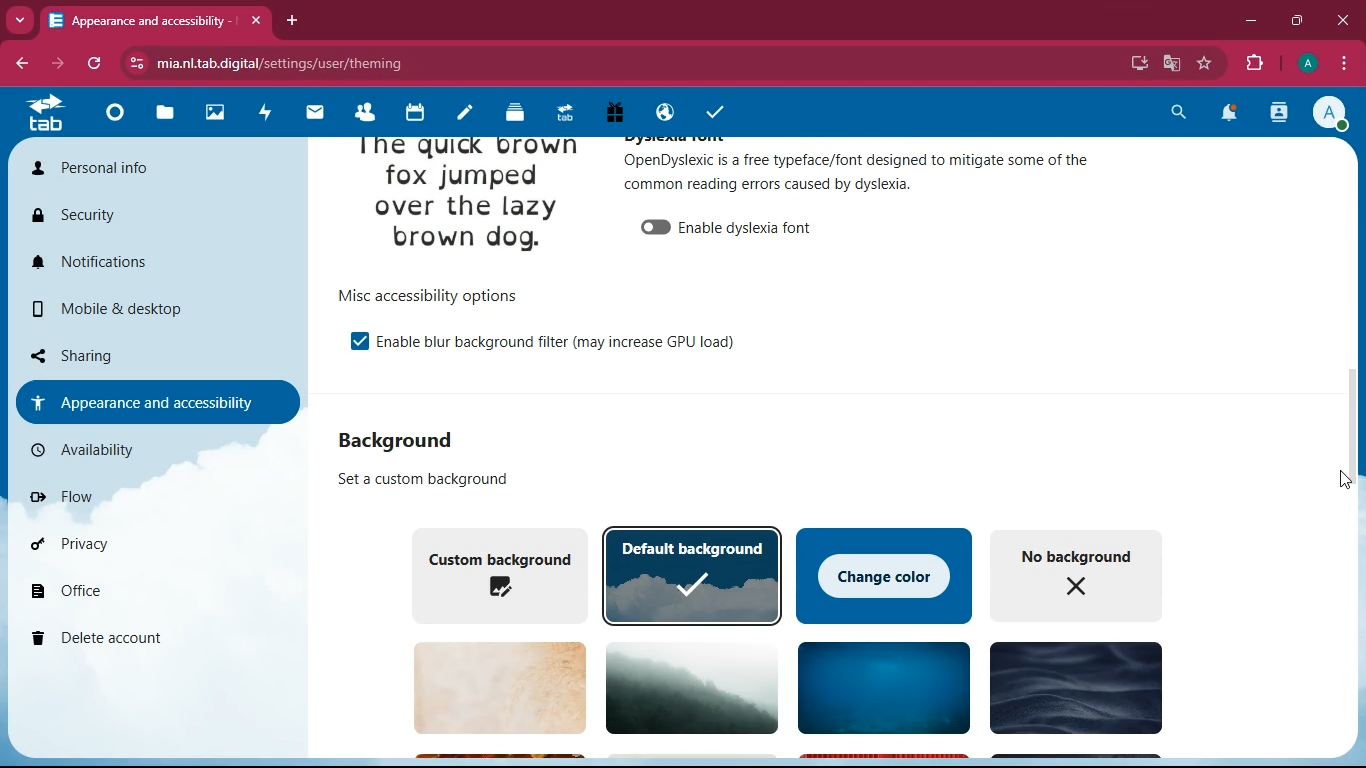  What do you see at coordinates (729, 224) in the screenshot?
I see `enable` at bounding box center [729, 224].